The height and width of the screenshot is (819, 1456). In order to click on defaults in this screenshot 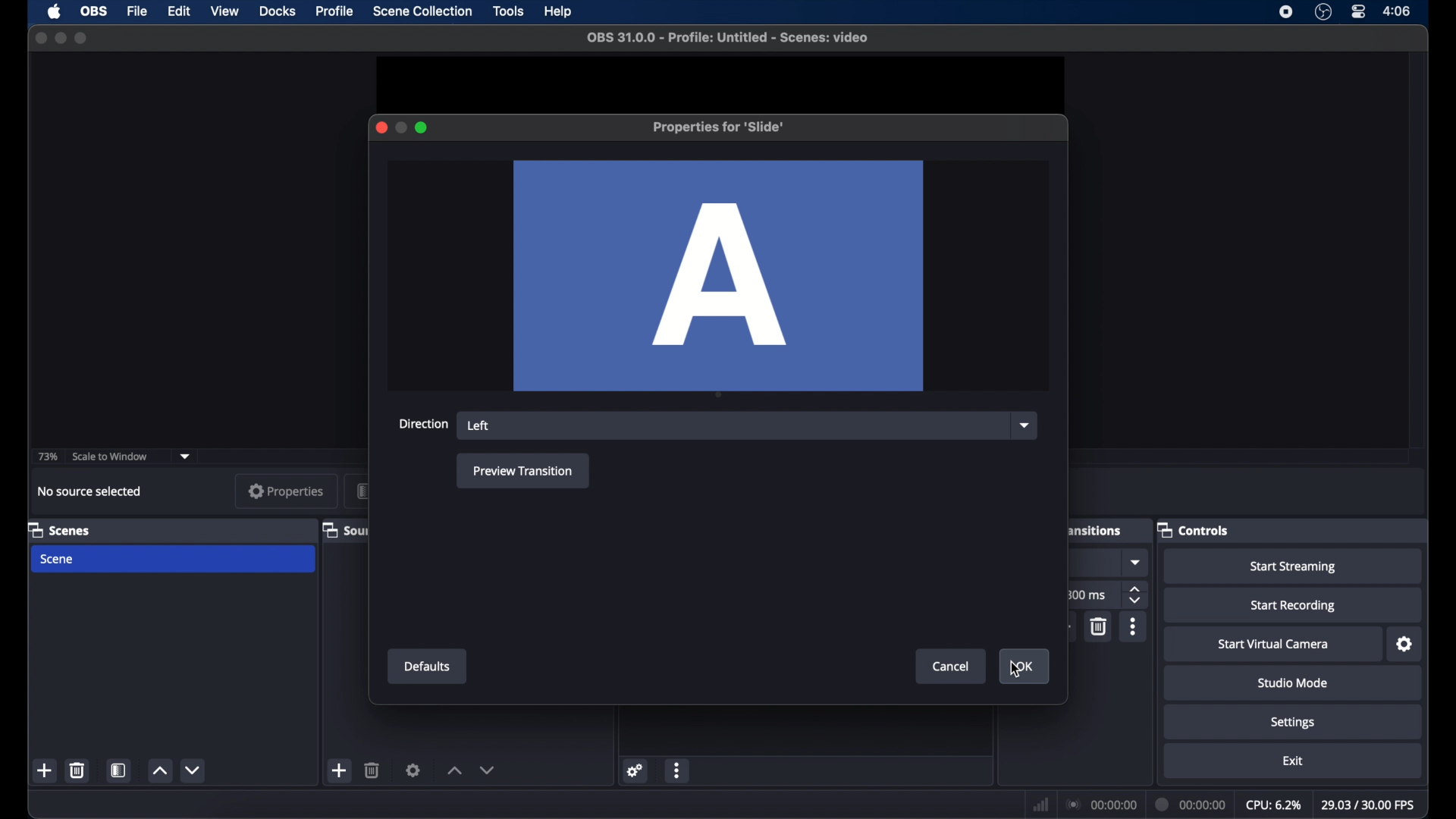, I will do `click(428, 667)`.